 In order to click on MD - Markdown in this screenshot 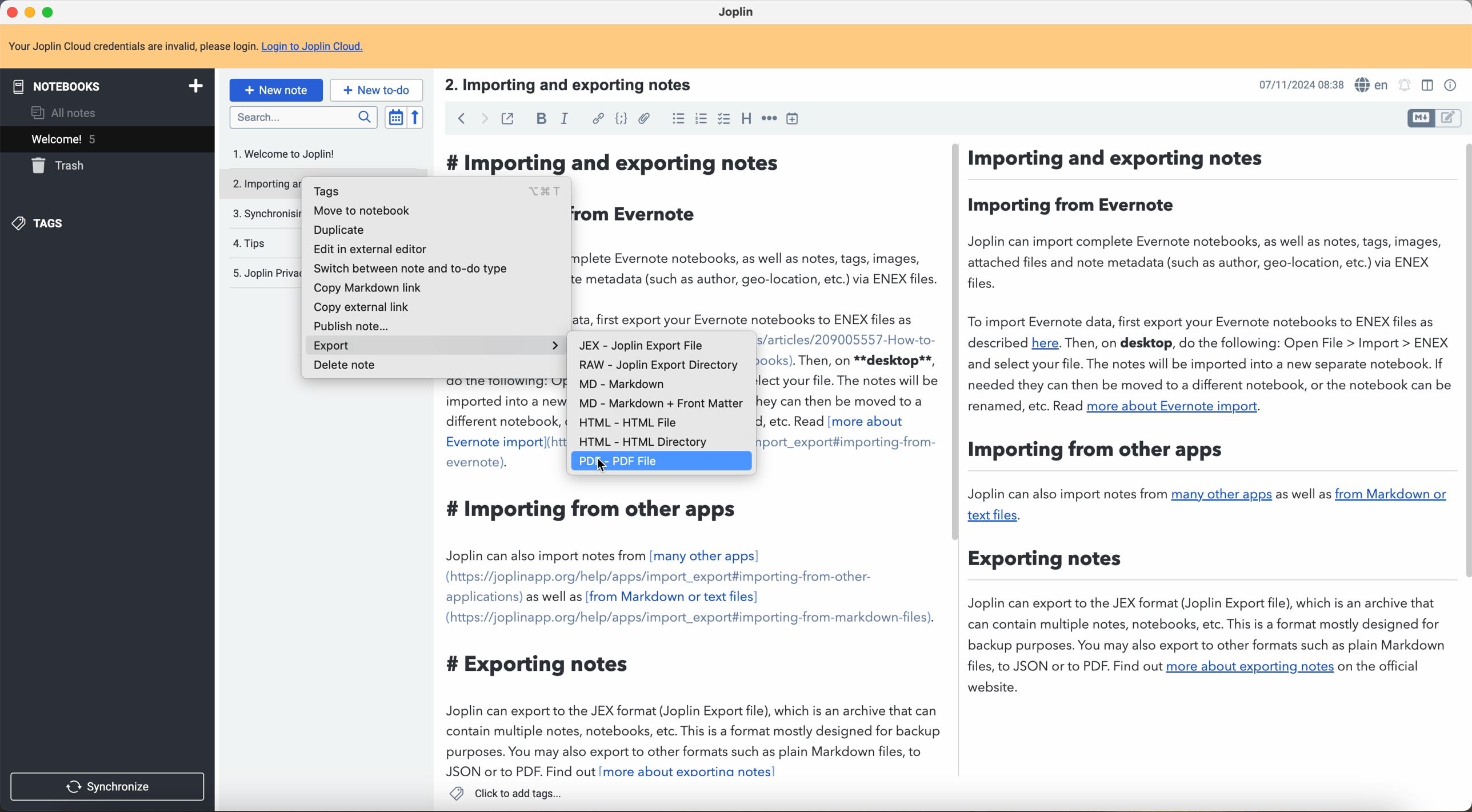, I will do `click(621, 386)`.